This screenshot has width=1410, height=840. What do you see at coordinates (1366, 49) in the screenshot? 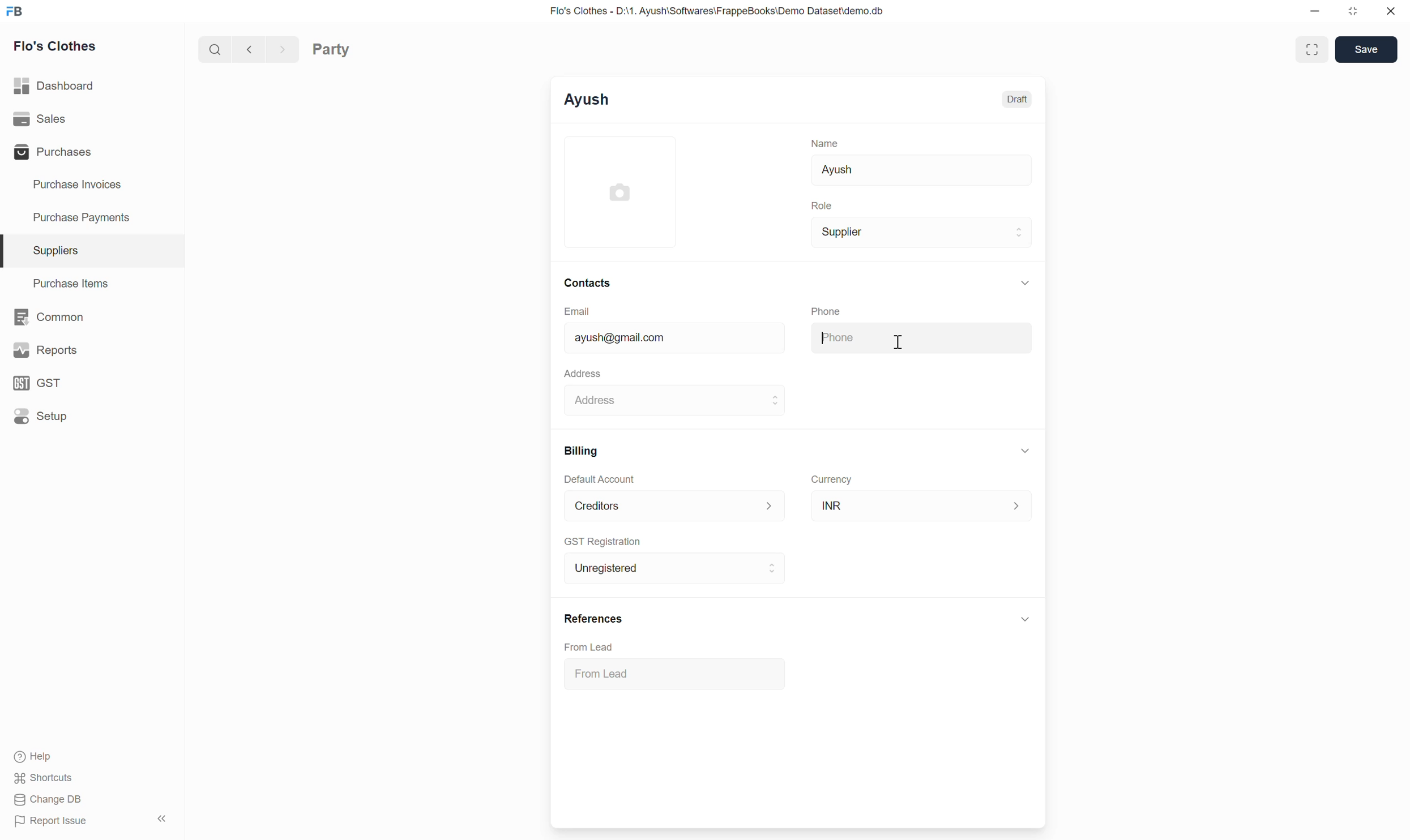
I see `Save` at bounding box center [1366, 49].